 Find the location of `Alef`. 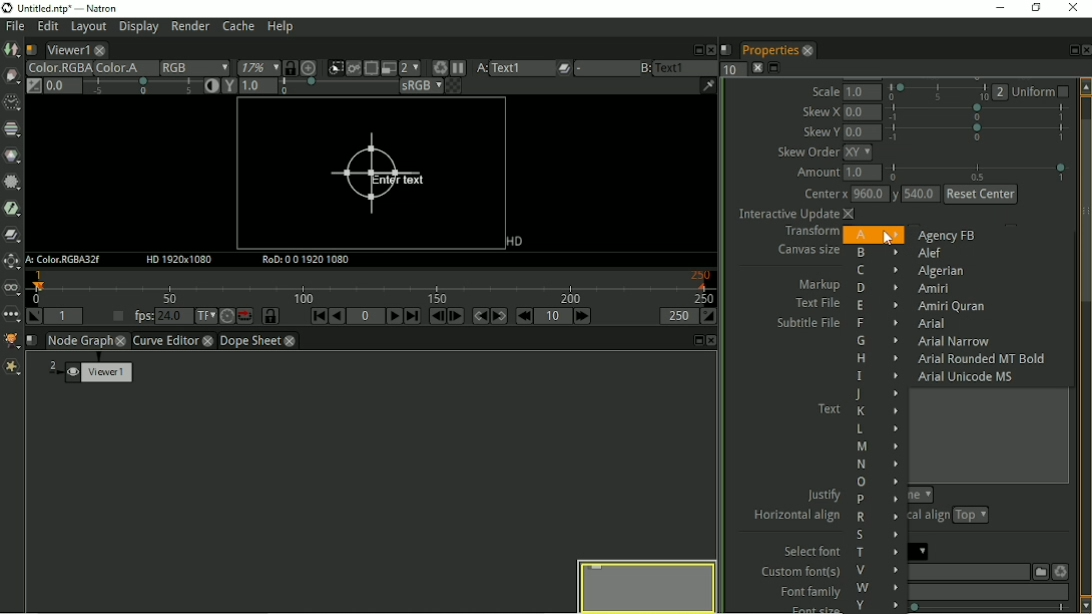

Alef is located at coordinates (929, 255).